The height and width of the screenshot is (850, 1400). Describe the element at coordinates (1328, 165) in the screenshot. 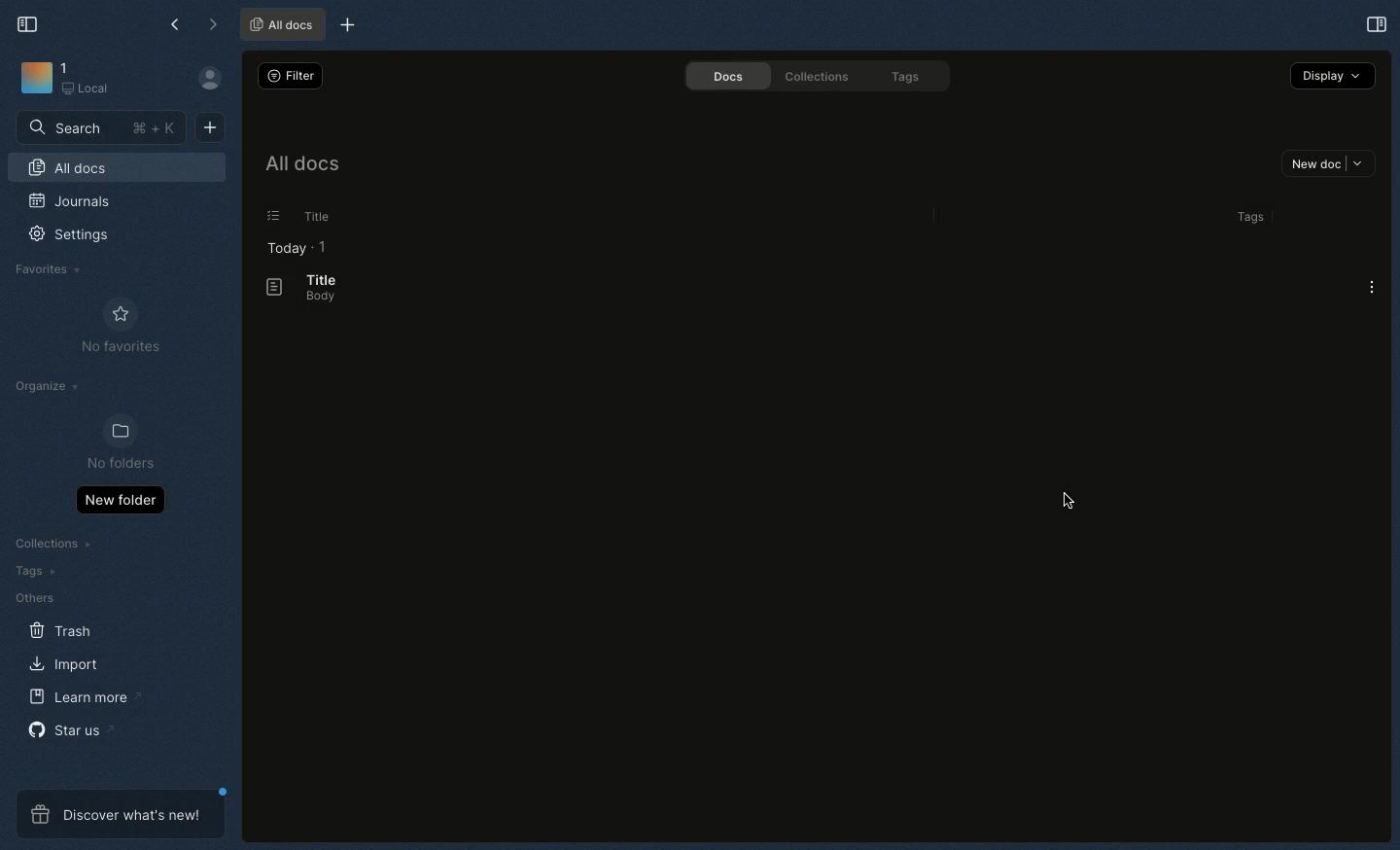

I see `New doc` at that location.